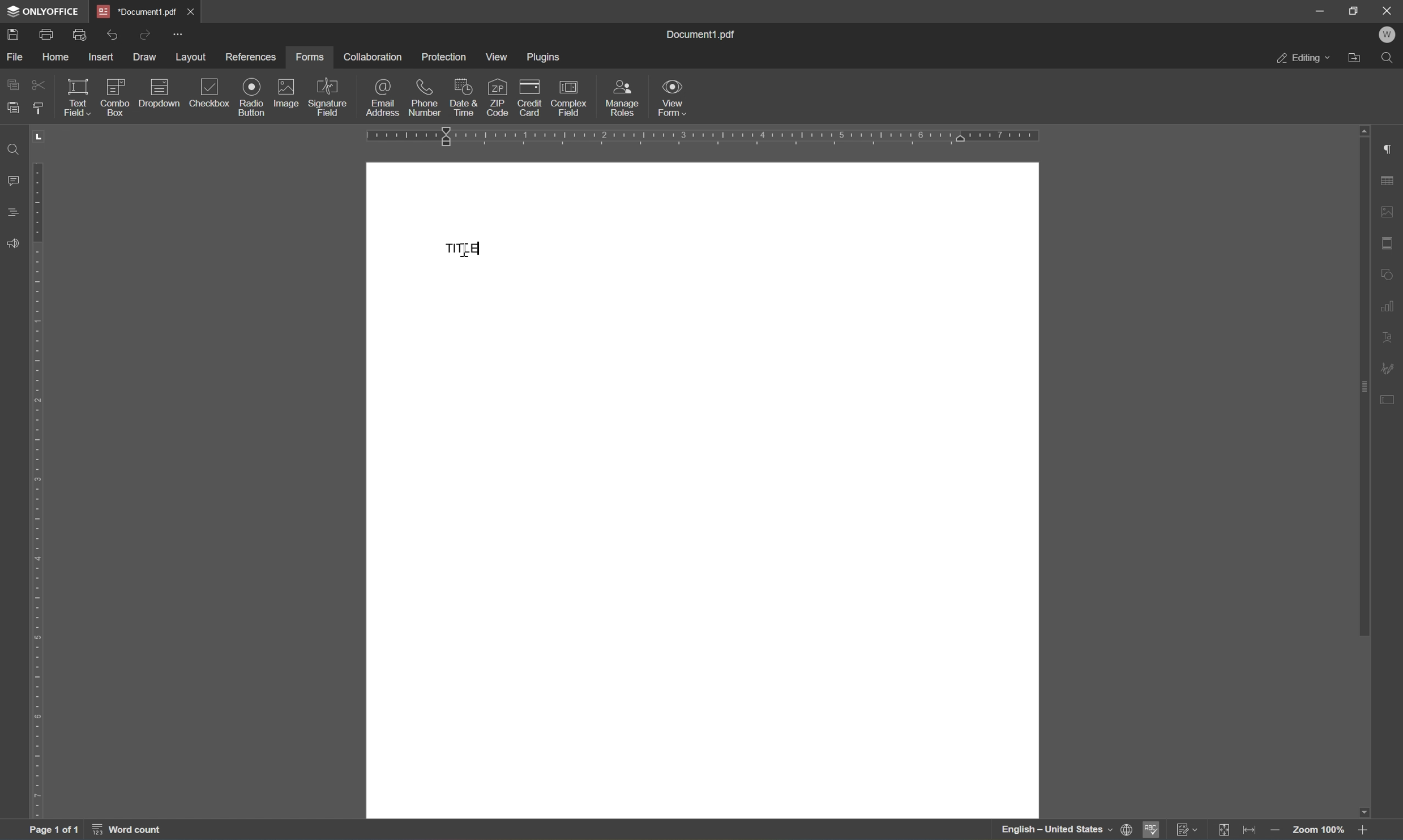 The width and height of the screenshot is (1403, 840). I want to click on fit to width, so click(1251, 830).